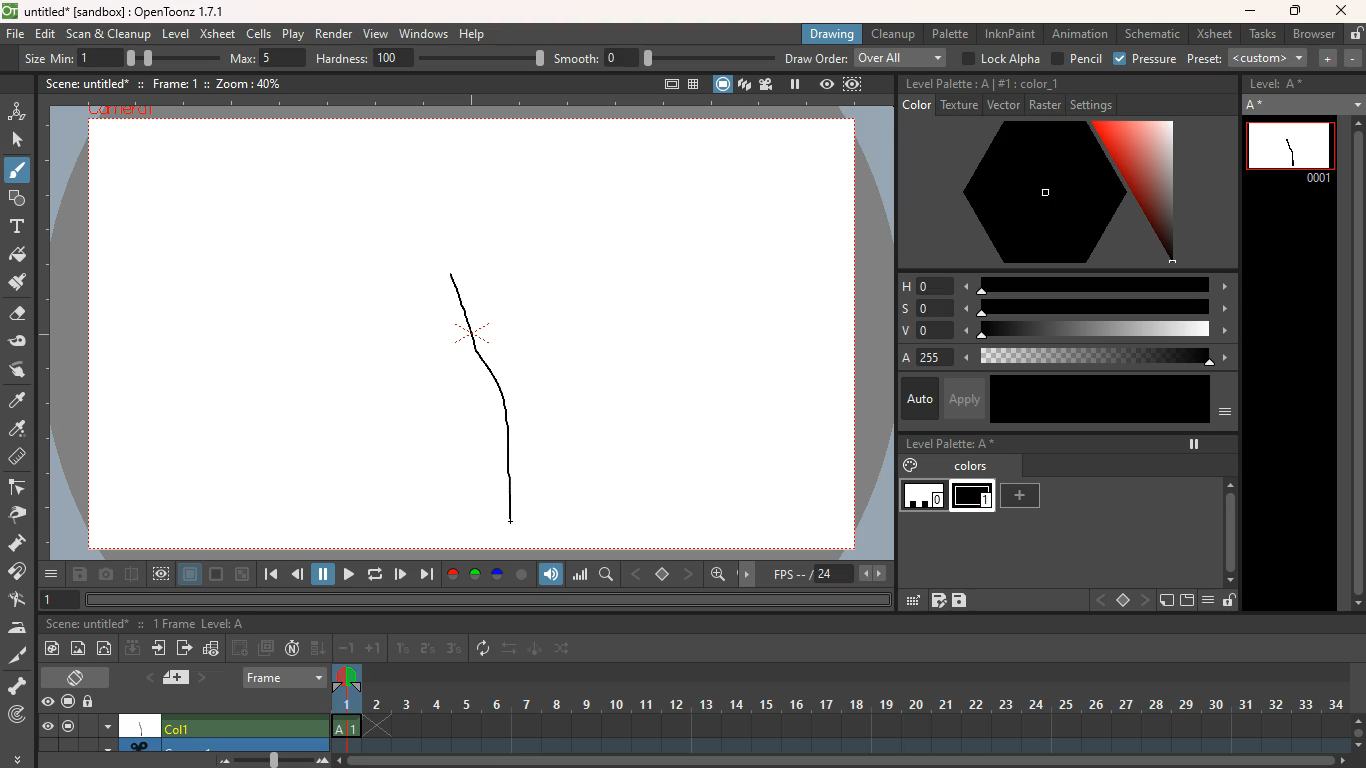  I want to click on colors, so click(972, 468).